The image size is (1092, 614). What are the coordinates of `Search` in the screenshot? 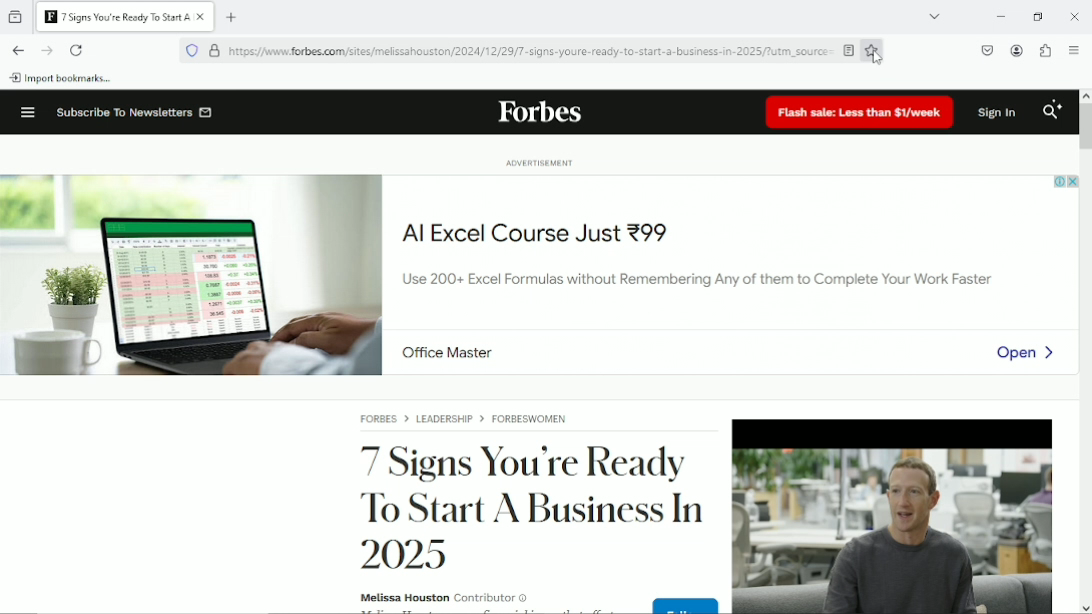 It's located at (1054, 111).